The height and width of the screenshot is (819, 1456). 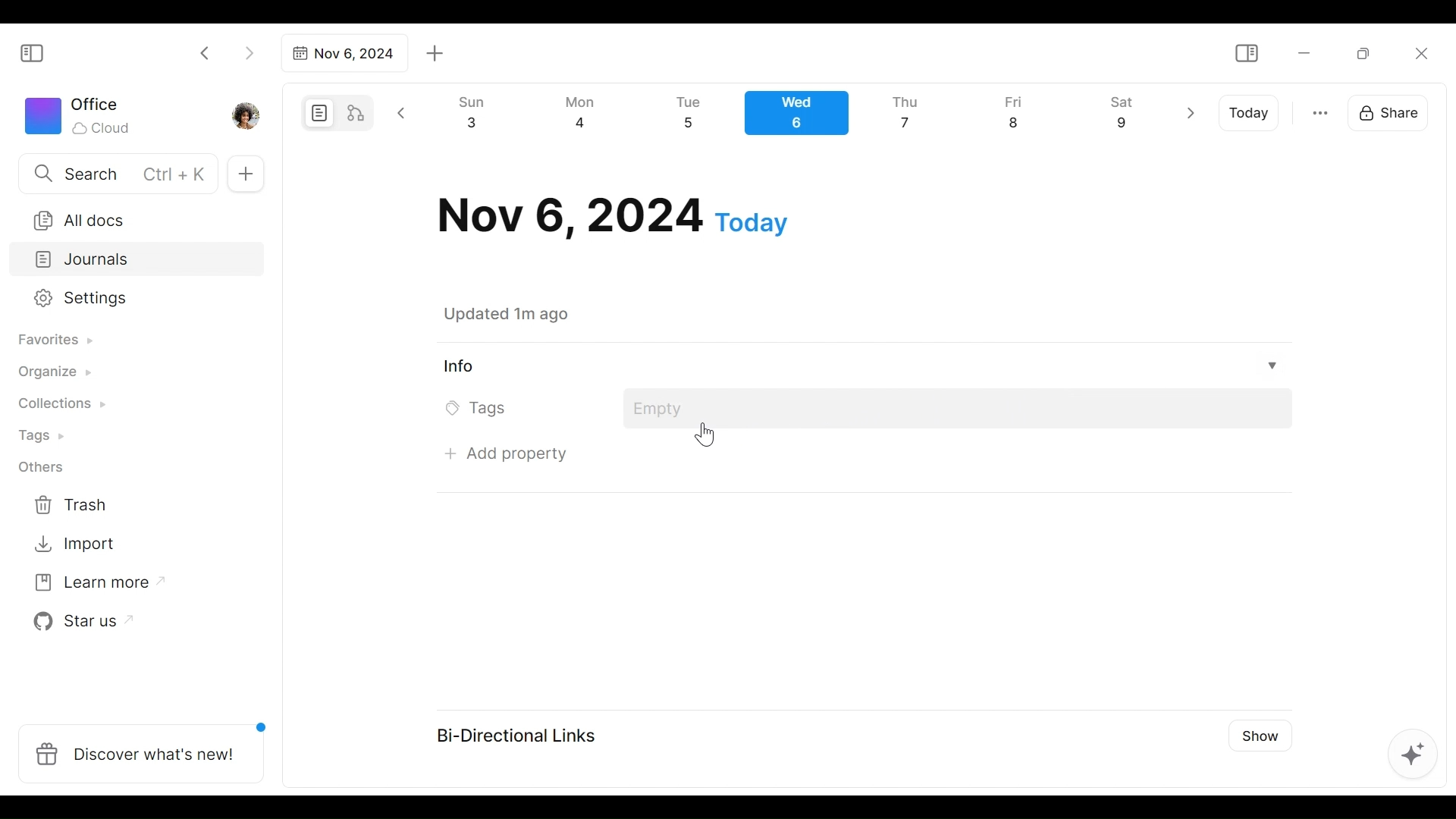 I want to click on Click to go forward, so click(x=249, y=52).